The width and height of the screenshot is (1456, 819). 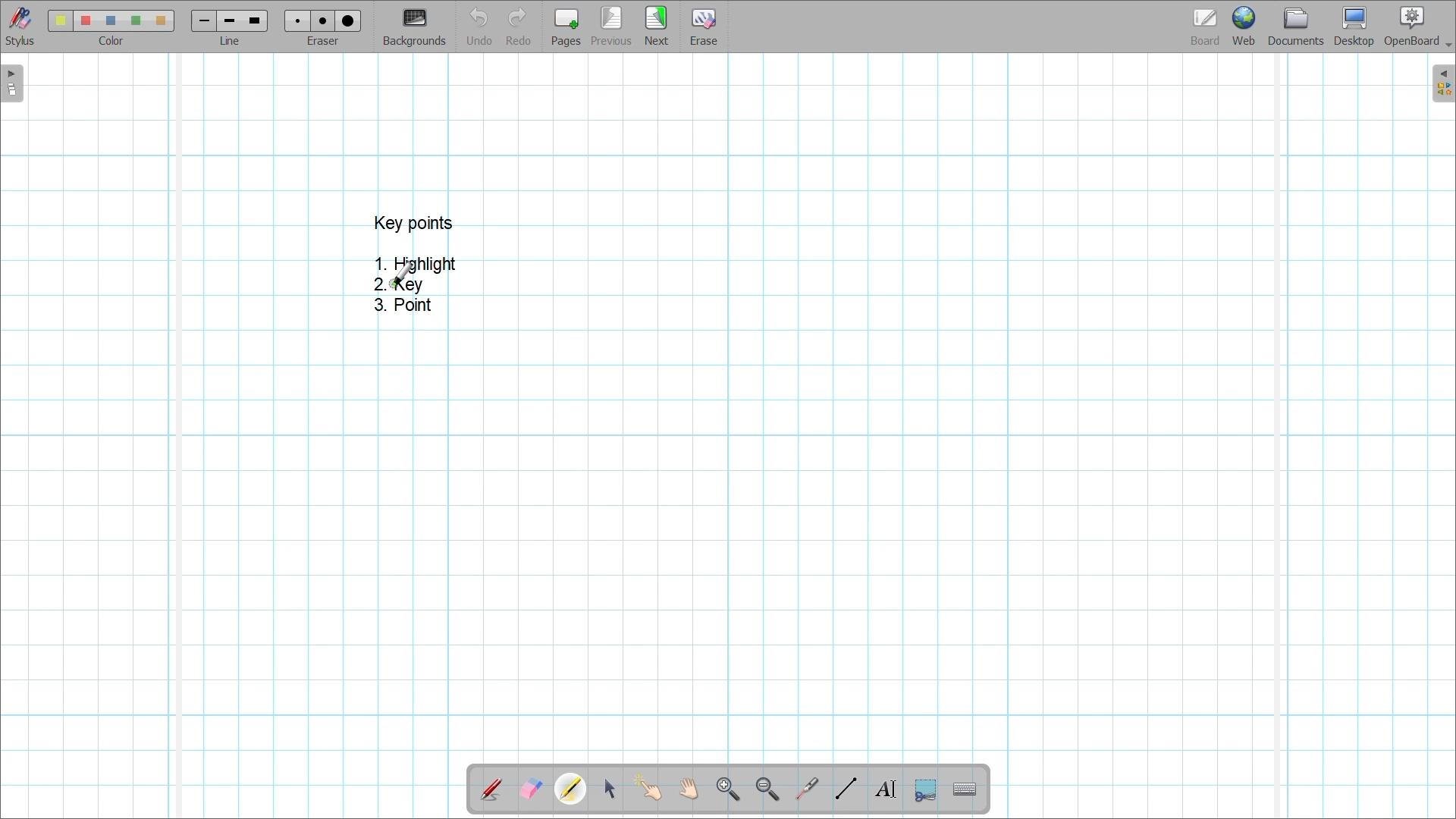 I want to click on Change background, so click(x=414, y=27).